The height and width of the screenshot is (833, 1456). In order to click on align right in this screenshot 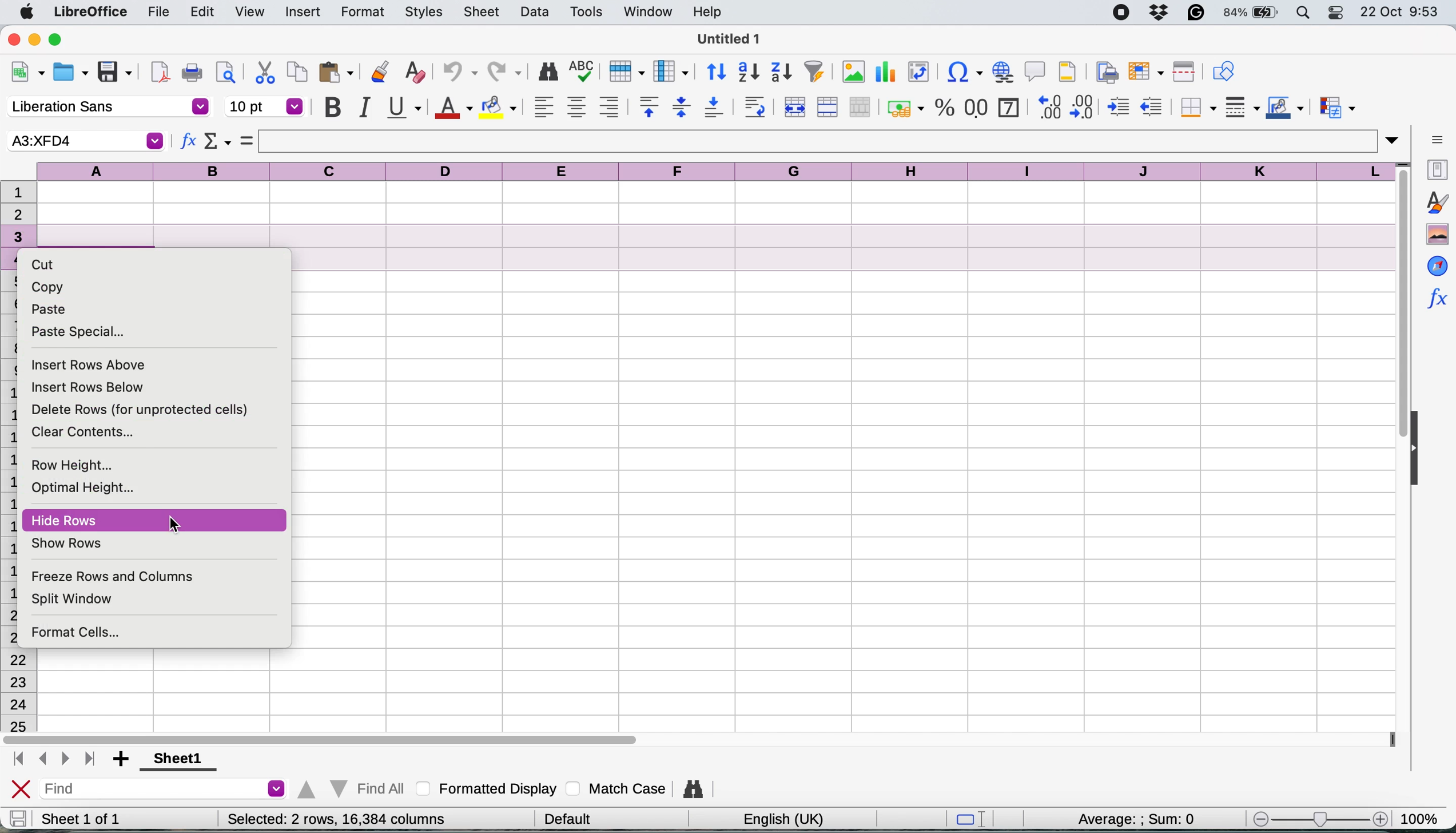, I will do `click(608, 107)`.